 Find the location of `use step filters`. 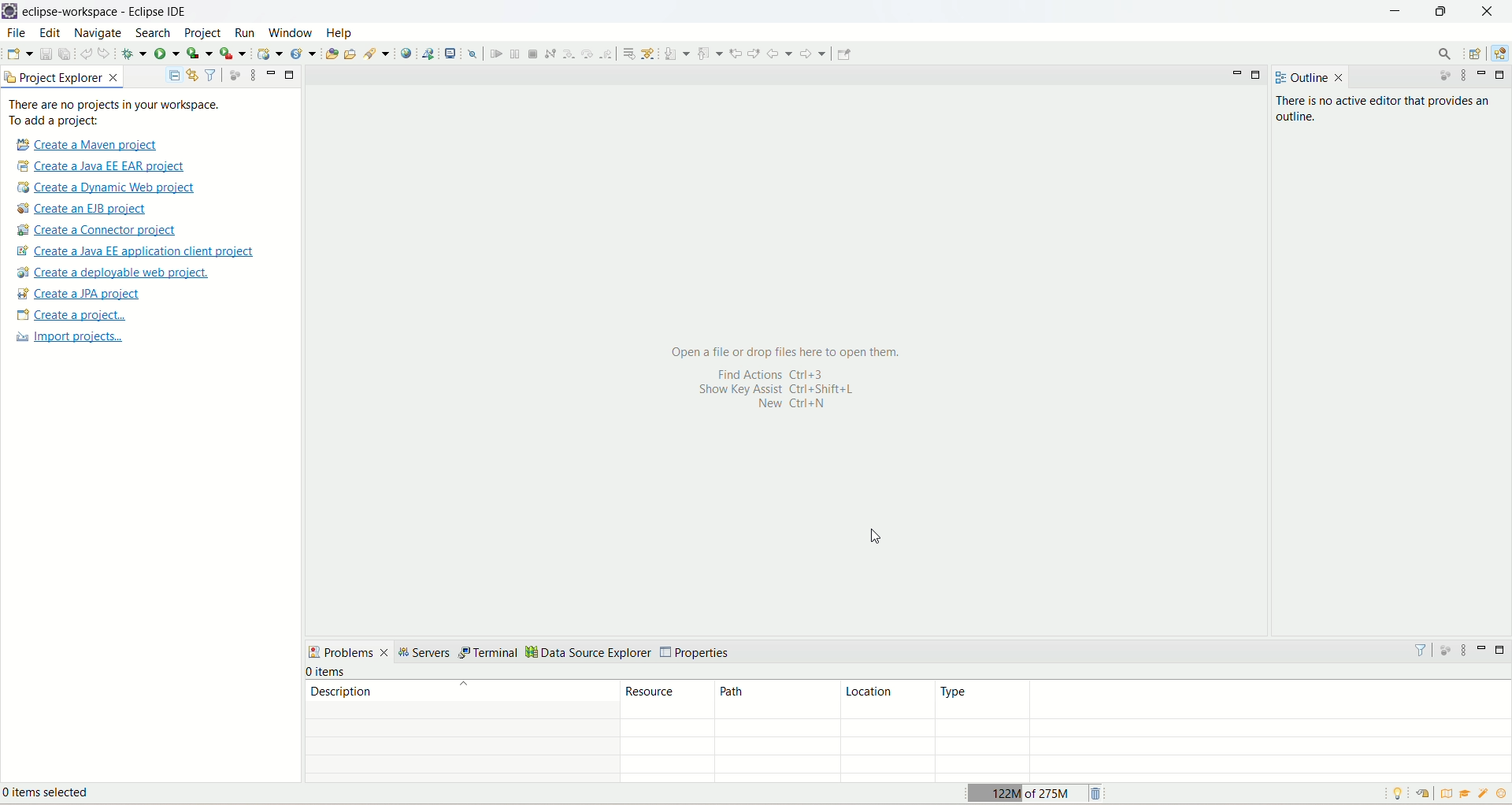

use step filters is located at coordinates (649, 53).